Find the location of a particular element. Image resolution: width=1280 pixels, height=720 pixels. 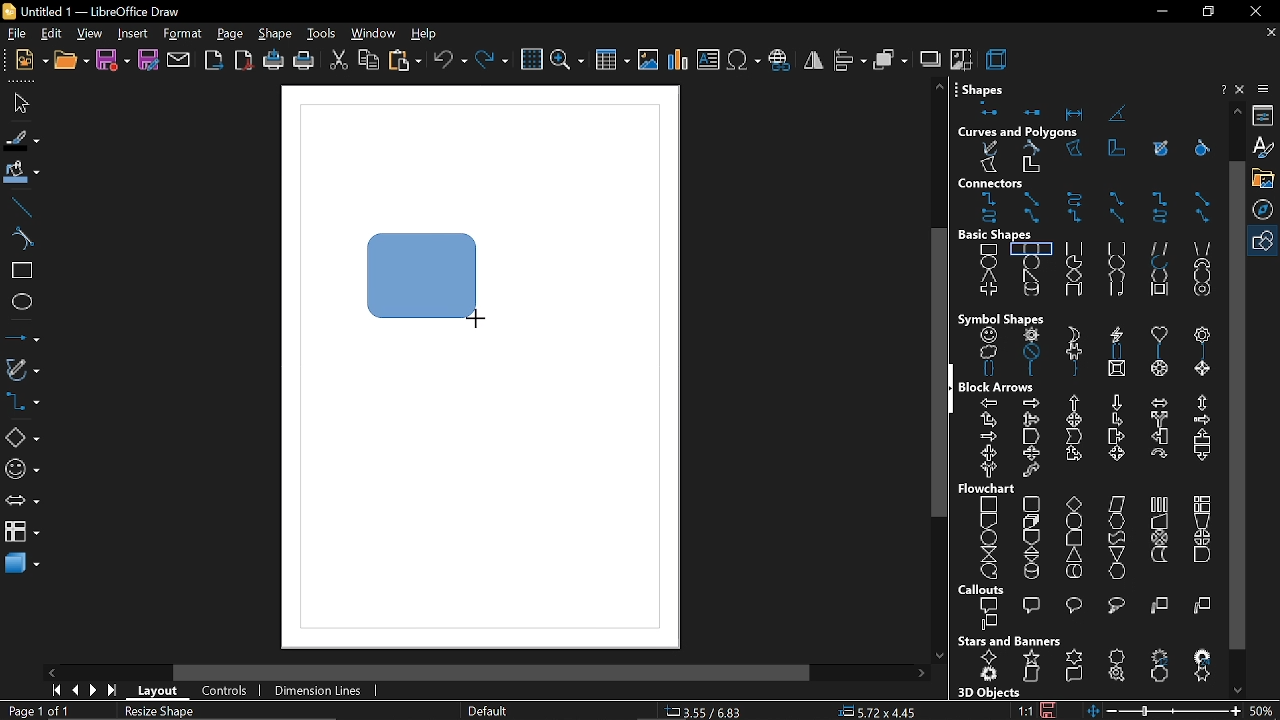

print is located at coordinates (303, 63).